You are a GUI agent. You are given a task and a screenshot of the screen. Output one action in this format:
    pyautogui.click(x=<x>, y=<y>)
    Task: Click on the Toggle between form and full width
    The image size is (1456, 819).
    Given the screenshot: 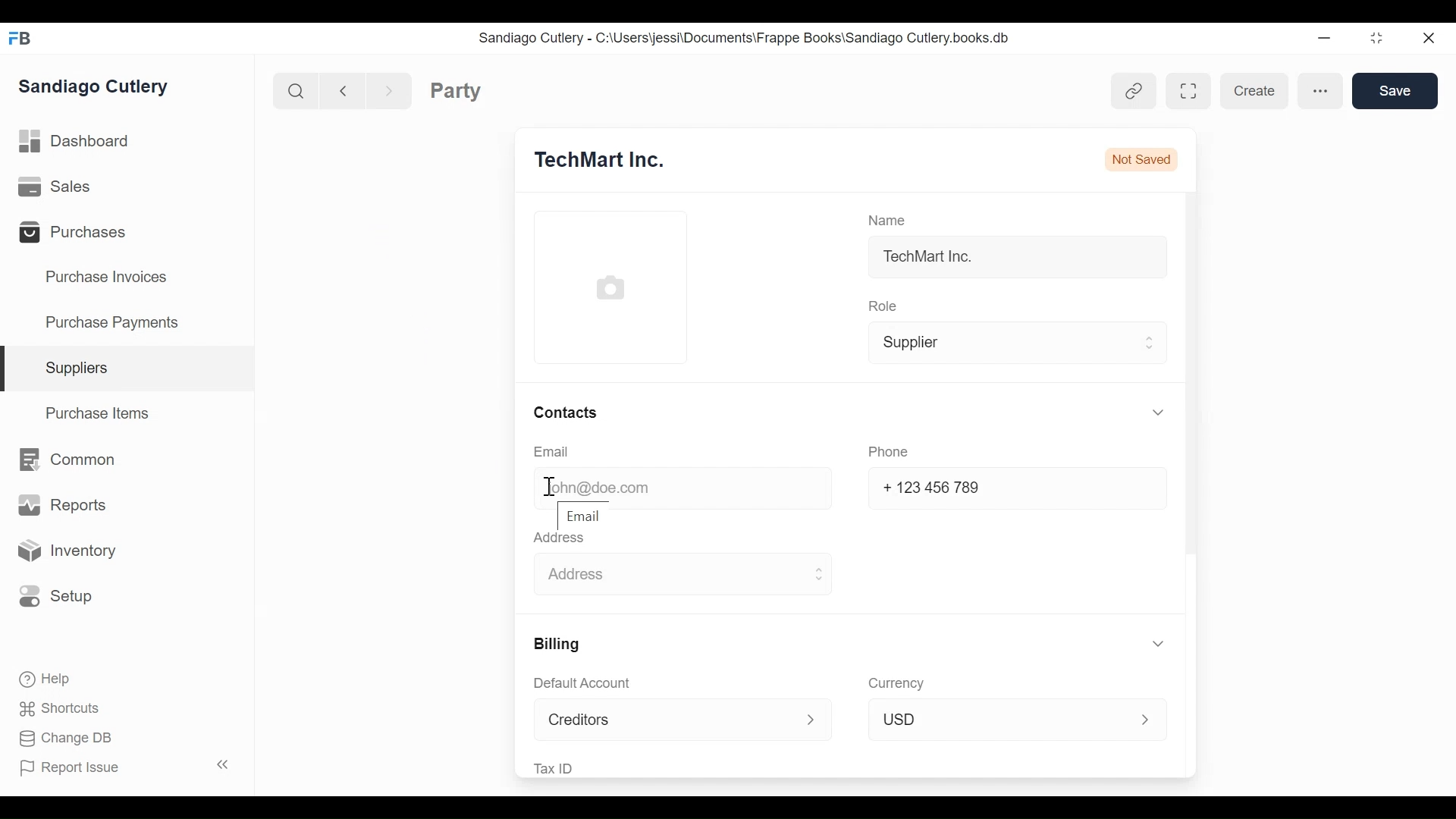 What is the action you would take?
    pyautogui.click(x=1183, y=91)
    